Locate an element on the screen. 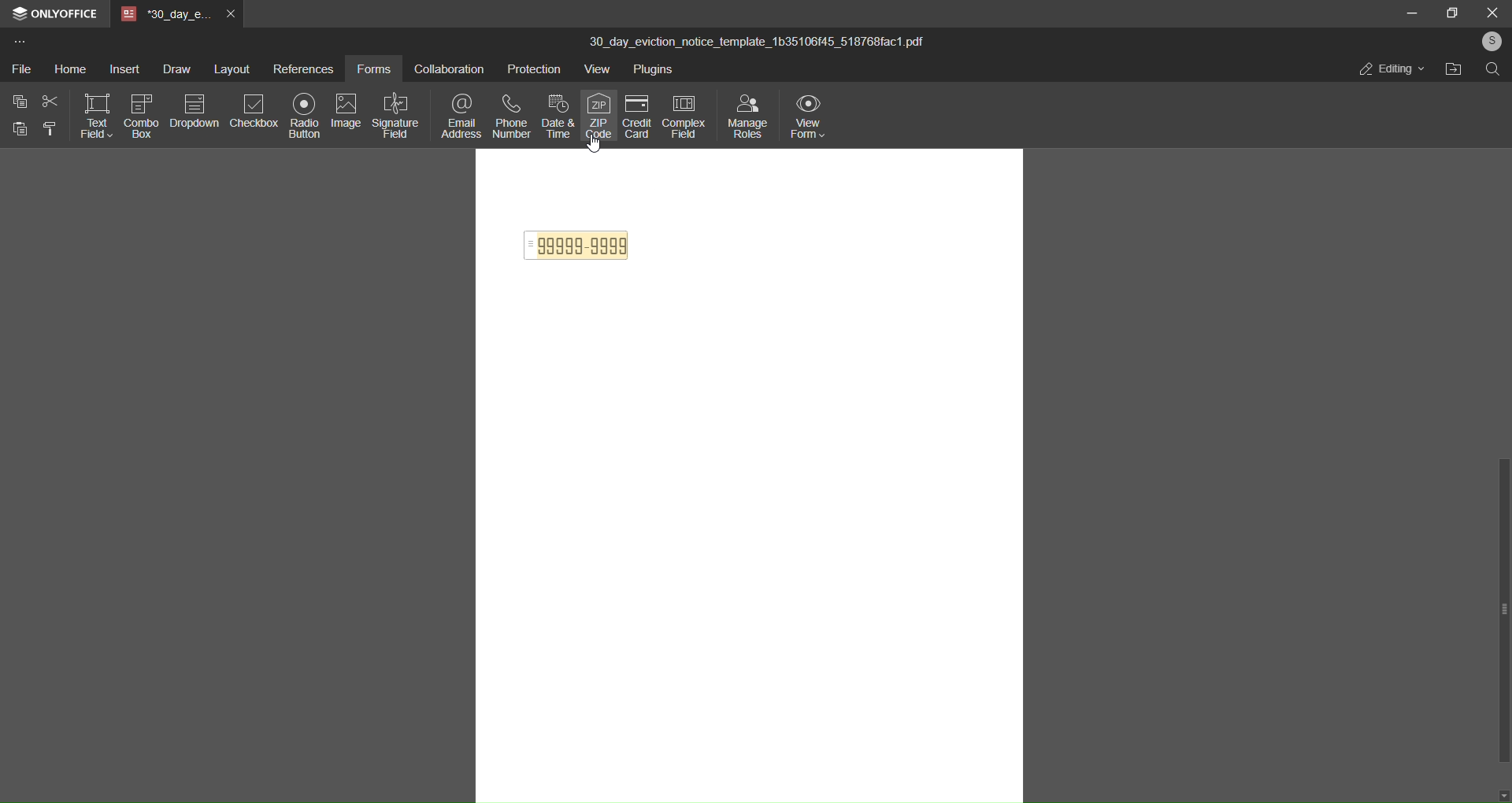 The width and height of the screenshot is (1512, 803). insert is located at coordinates (122, 70).